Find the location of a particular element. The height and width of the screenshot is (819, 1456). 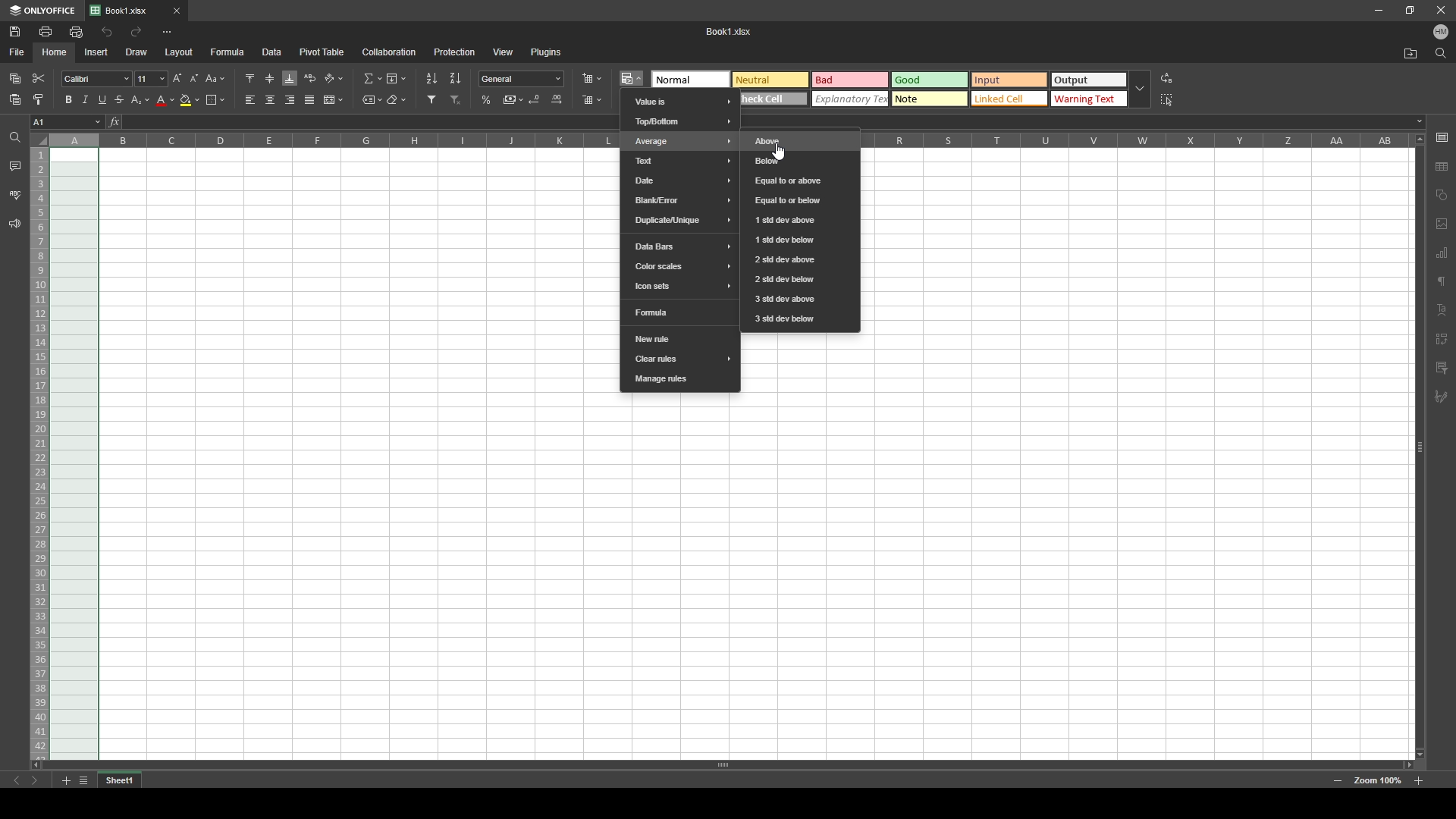

shape is located at coordinates (1442, 196).